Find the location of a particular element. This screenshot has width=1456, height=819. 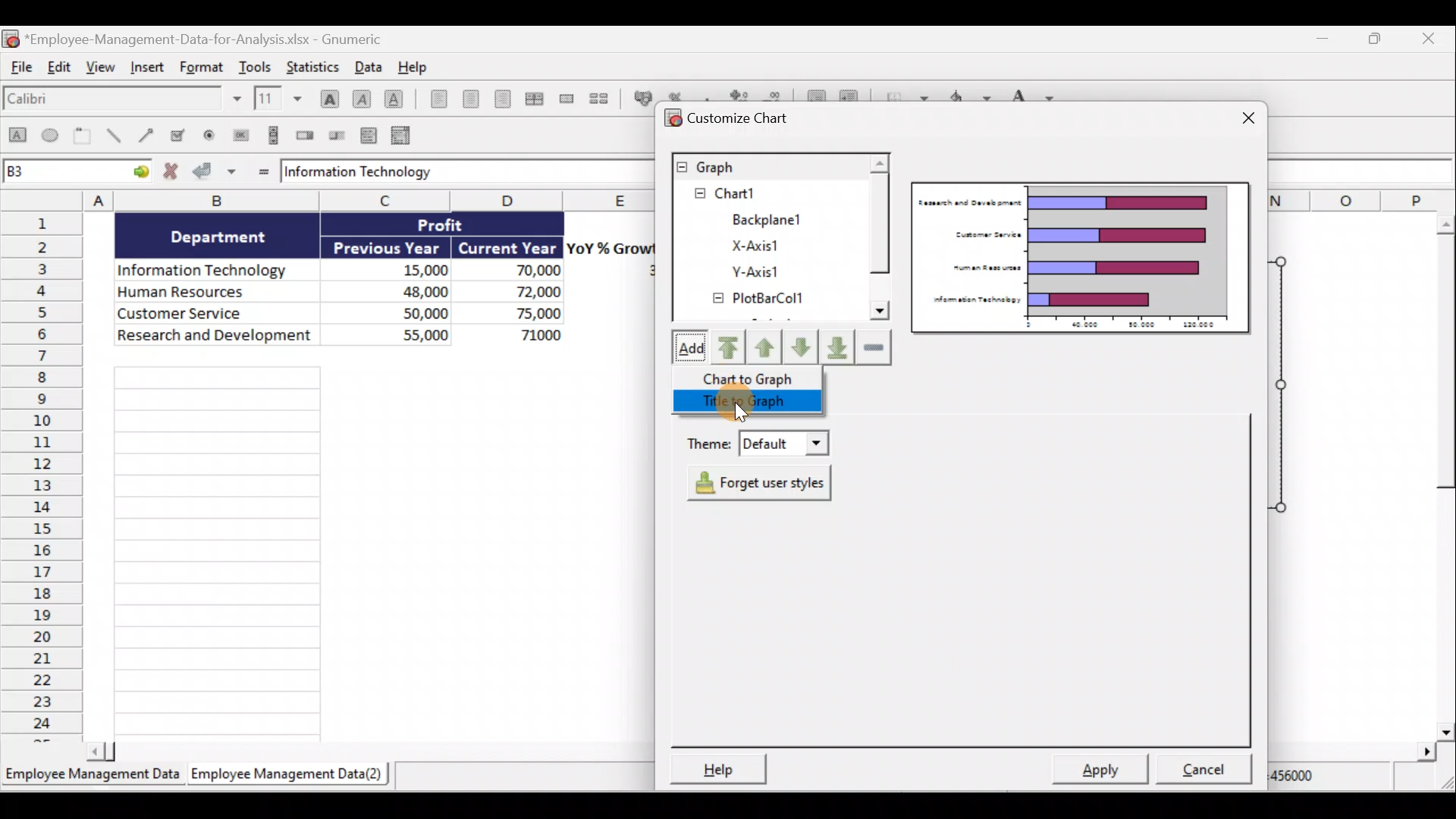

Scroll bar is located at coordinates (880, 247).